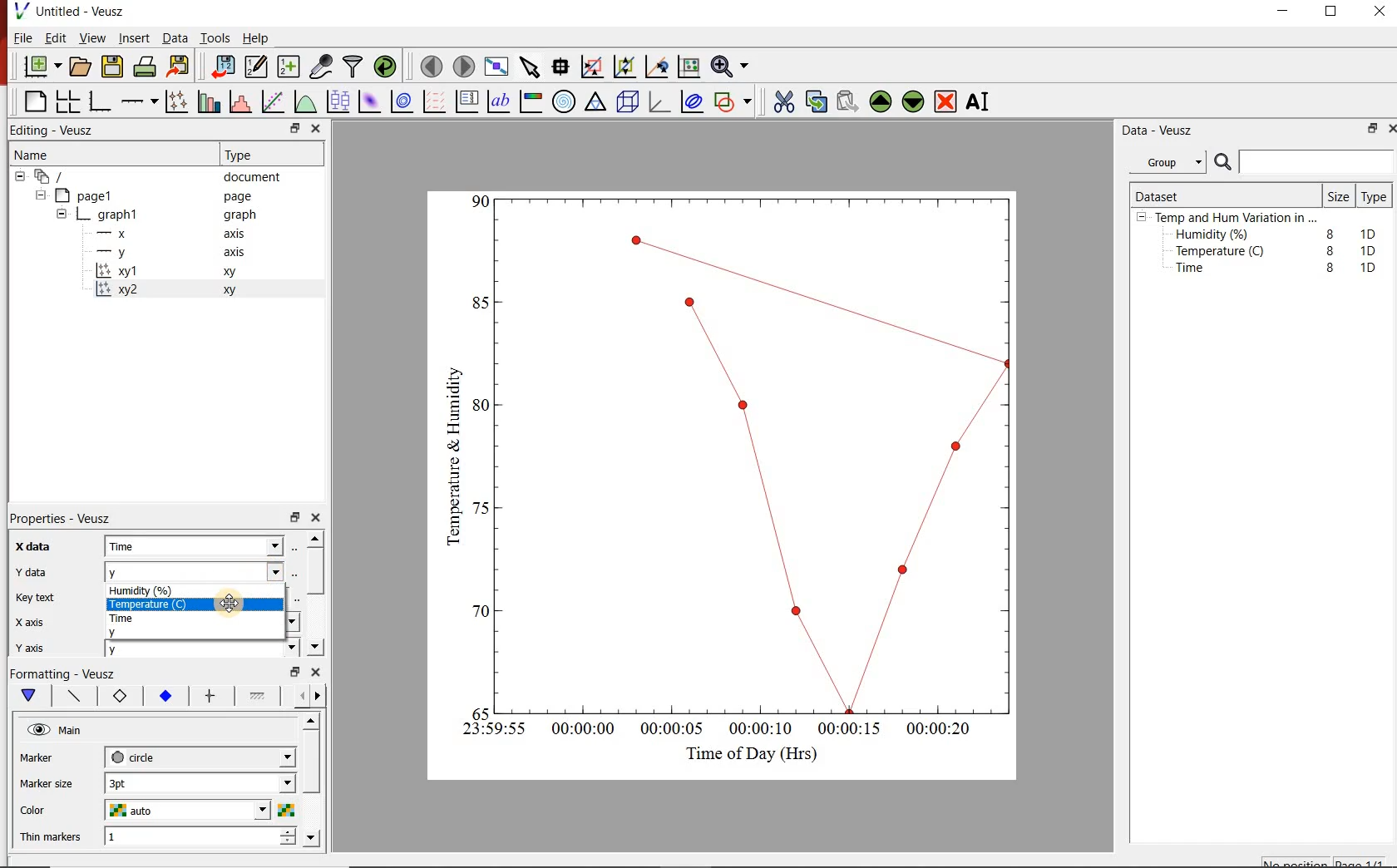 This screenshot has width=1397, height=868. I want to click on restore down, so click(284, 128).